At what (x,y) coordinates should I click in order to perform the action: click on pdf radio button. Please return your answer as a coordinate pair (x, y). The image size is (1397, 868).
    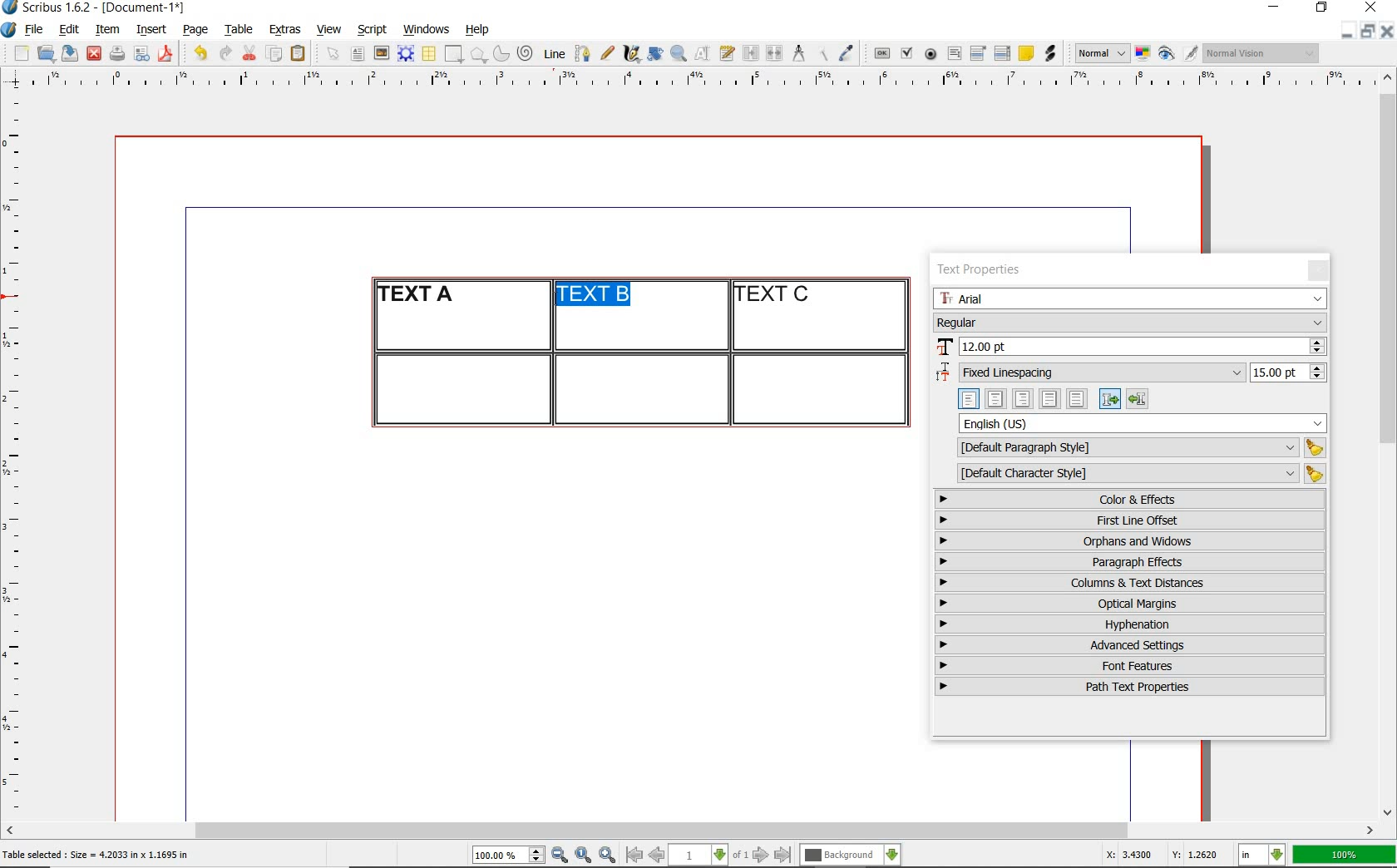
    Looking at the image, I should click on (931, 56).